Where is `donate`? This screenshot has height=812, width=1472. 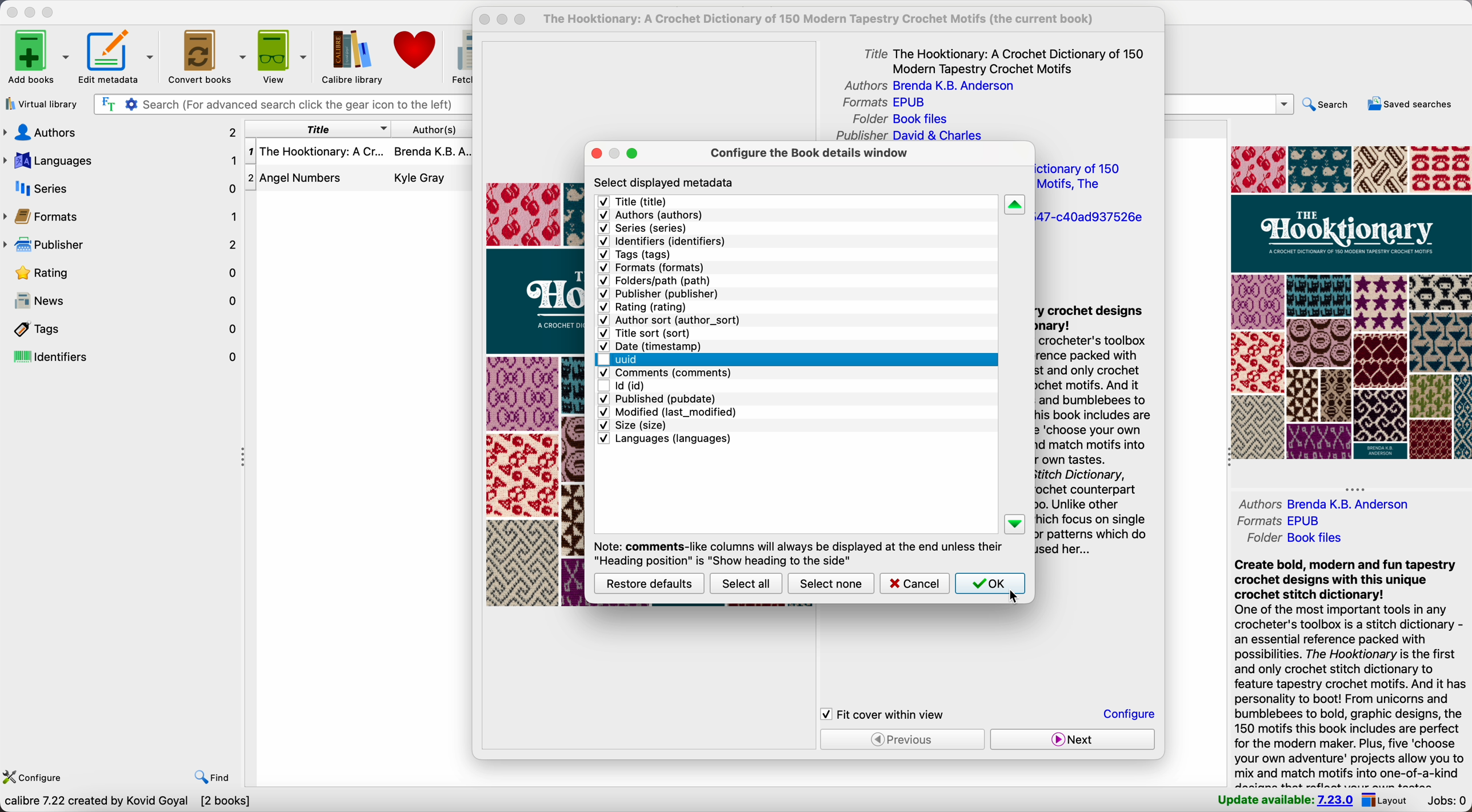 donate is located at coordinates (417, 50).